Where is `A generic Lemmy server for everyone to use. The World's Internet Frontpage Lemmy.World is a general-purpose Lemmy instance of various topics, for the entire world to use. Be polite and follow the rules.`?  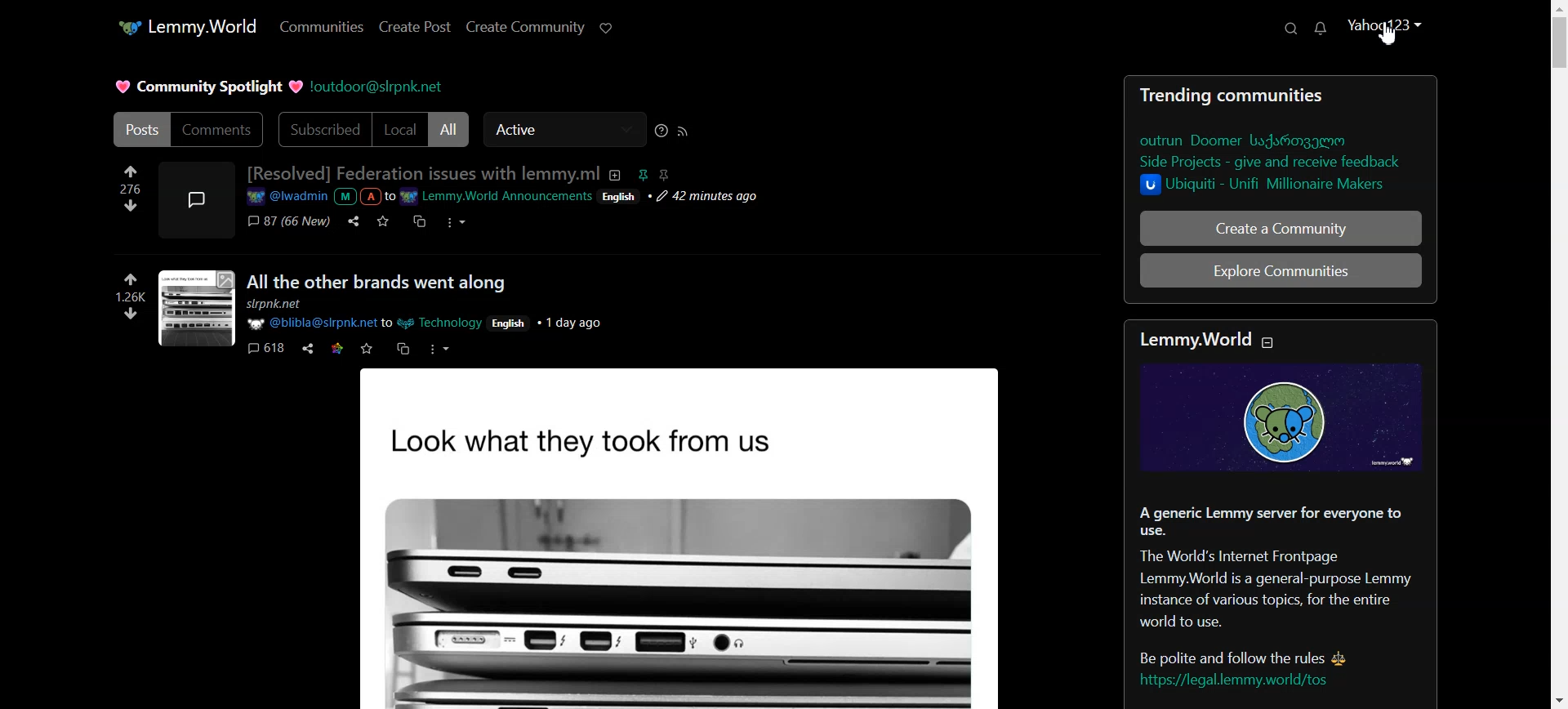
A generic Lemmy server for everyone to use. The World's Internet Frontpage Lemmy.World is a general-purpose Lemmy instance of various topics, for the entire world to use. Be polite and follow the rules. is located at coordinates (1282, 580).